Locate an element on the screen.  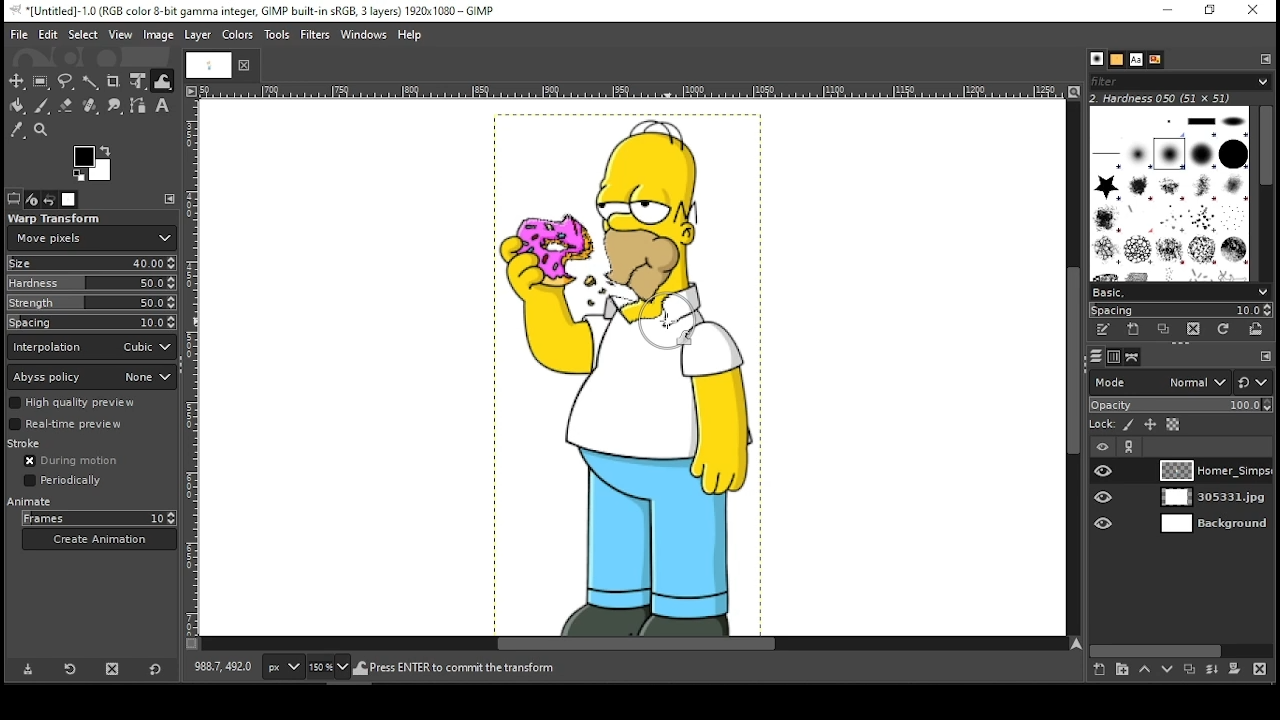
scroll bar is located at coordinates (1179, 650).